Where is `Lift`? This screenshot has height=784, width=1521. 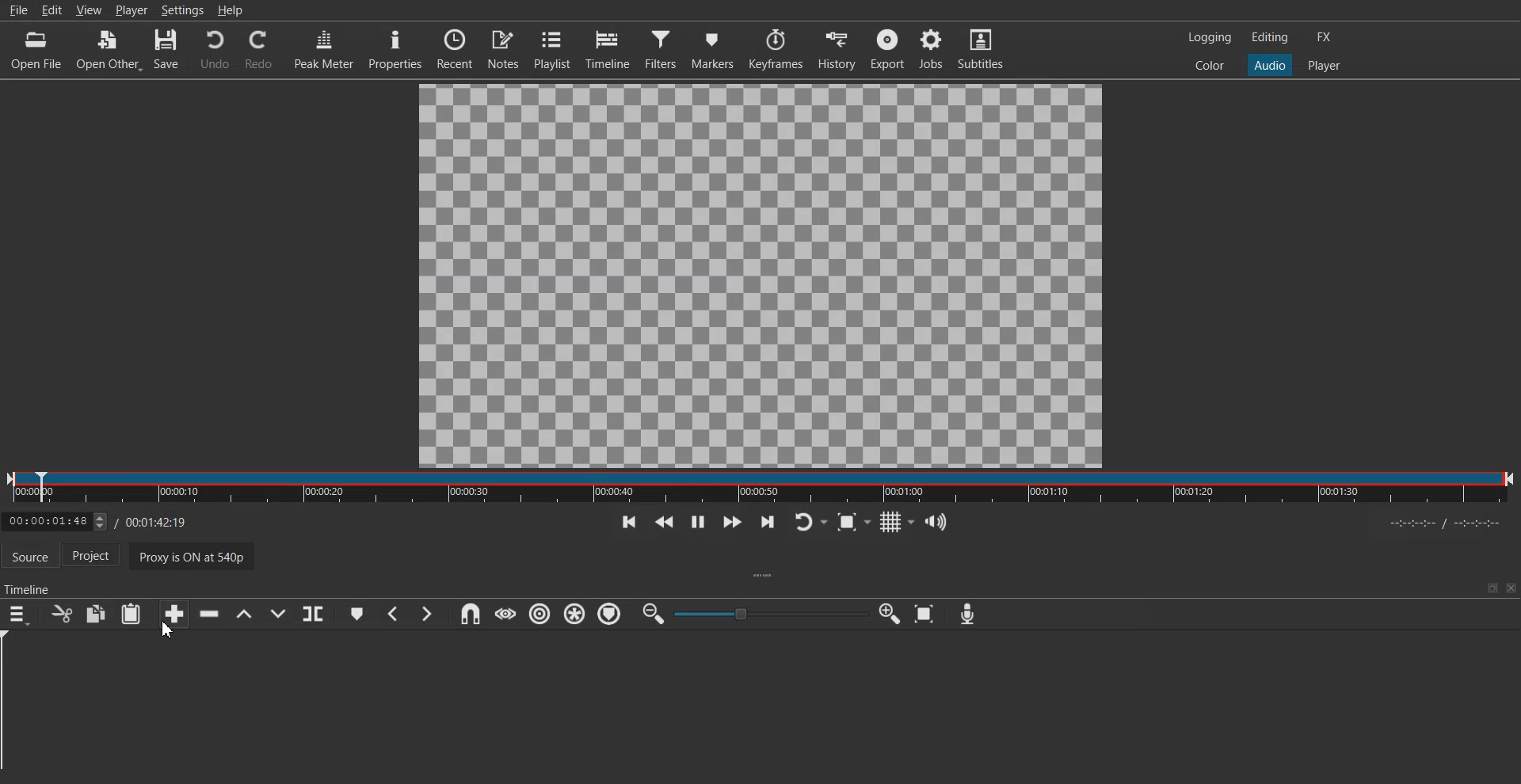 Lift is located at coordinates (243, 614).